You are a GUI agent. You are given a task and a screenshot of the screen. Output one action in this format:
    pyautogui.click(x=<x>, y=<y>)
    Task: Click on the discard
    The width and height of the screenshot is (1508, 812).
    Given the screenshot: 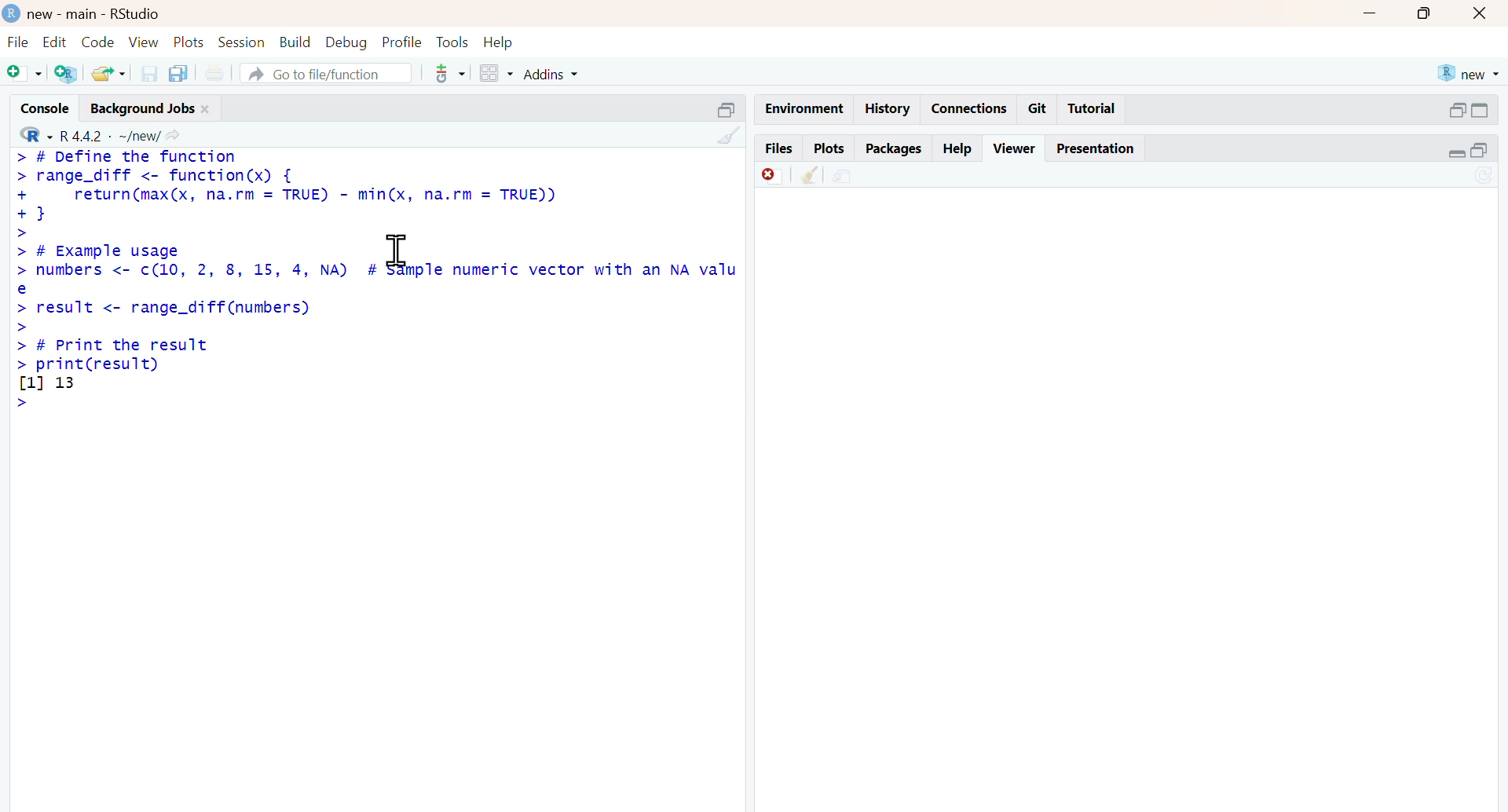 What is the action you would take?
    pyautogui.click(x=774, y=177)
    